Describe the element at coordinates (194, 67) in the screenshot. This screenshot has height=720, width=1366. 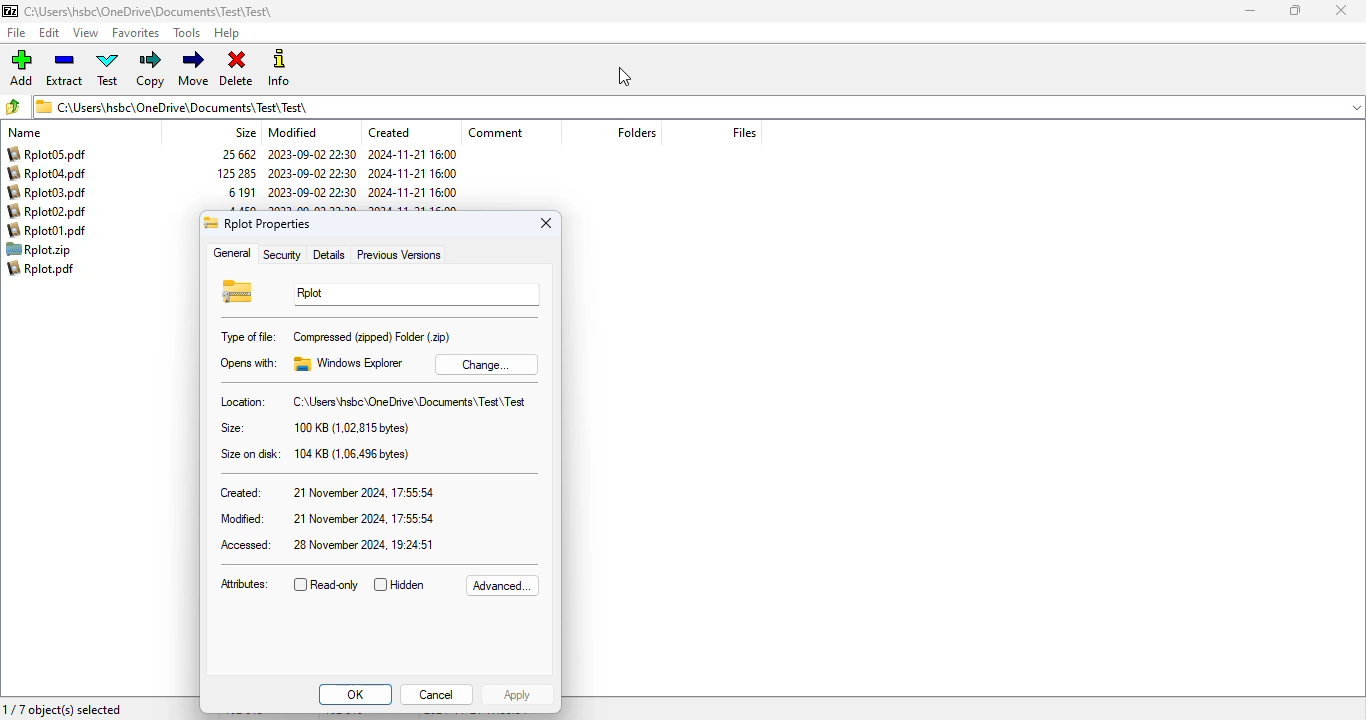
I see `move` at that location.